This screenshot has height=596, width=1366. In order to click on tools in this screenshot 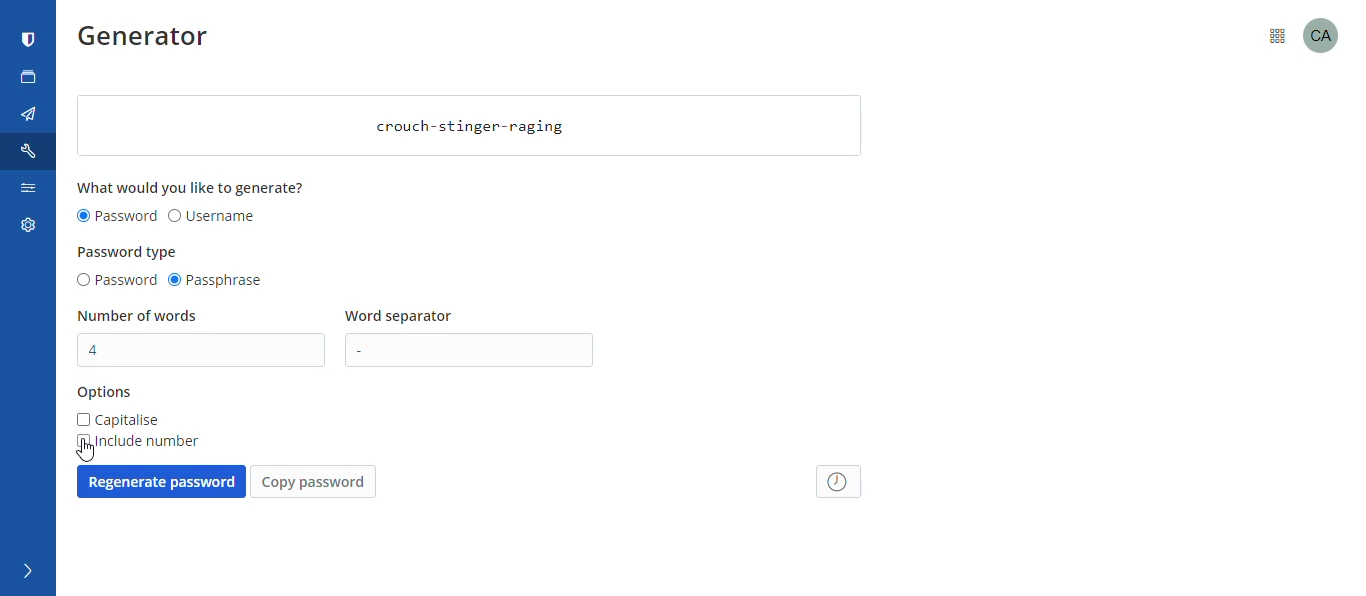, I will do `click(31, 151)`.